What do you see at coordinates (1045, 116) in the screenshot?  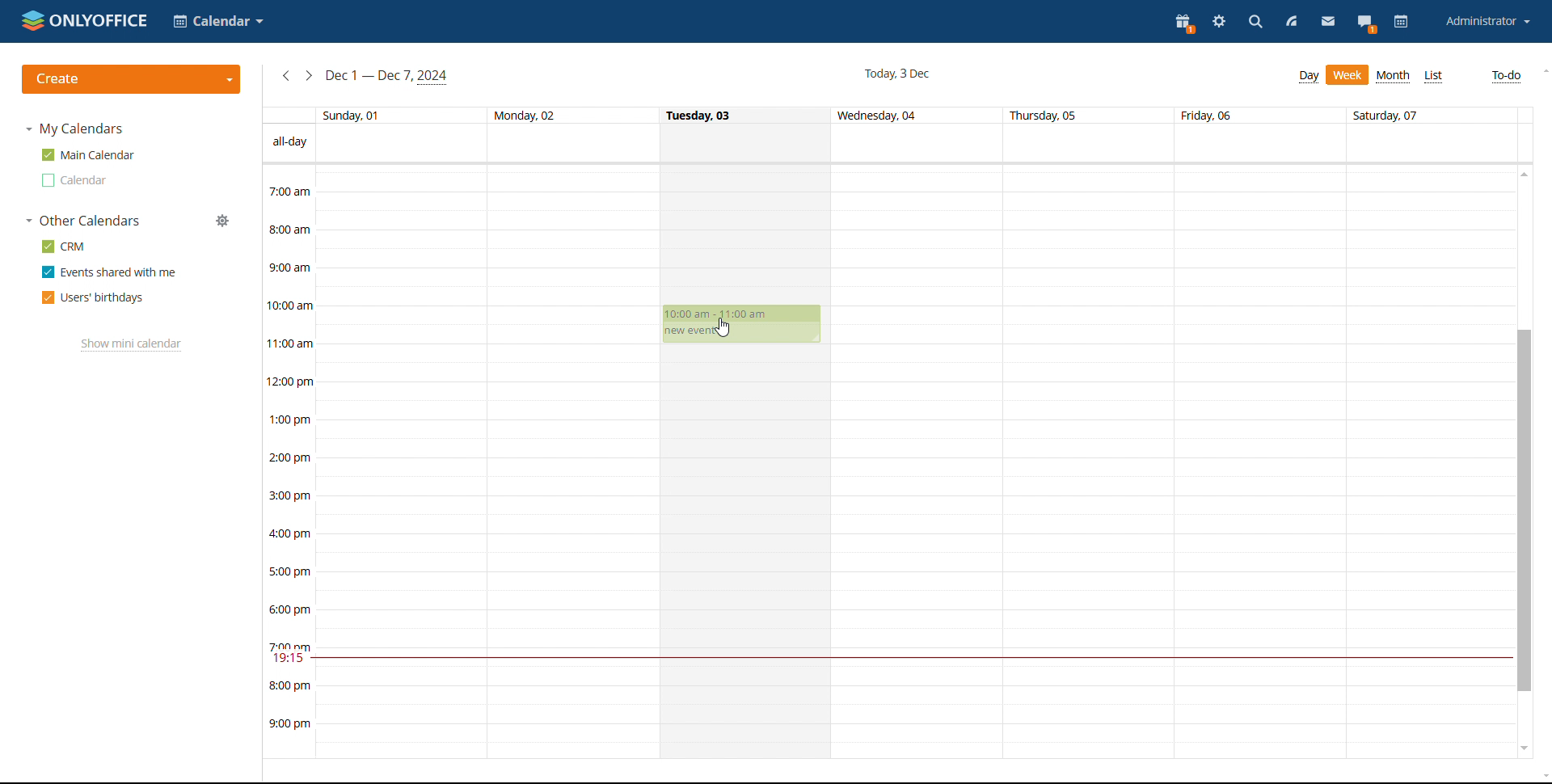 I see `Thursday, 05` at bounding box center [1045, 116].